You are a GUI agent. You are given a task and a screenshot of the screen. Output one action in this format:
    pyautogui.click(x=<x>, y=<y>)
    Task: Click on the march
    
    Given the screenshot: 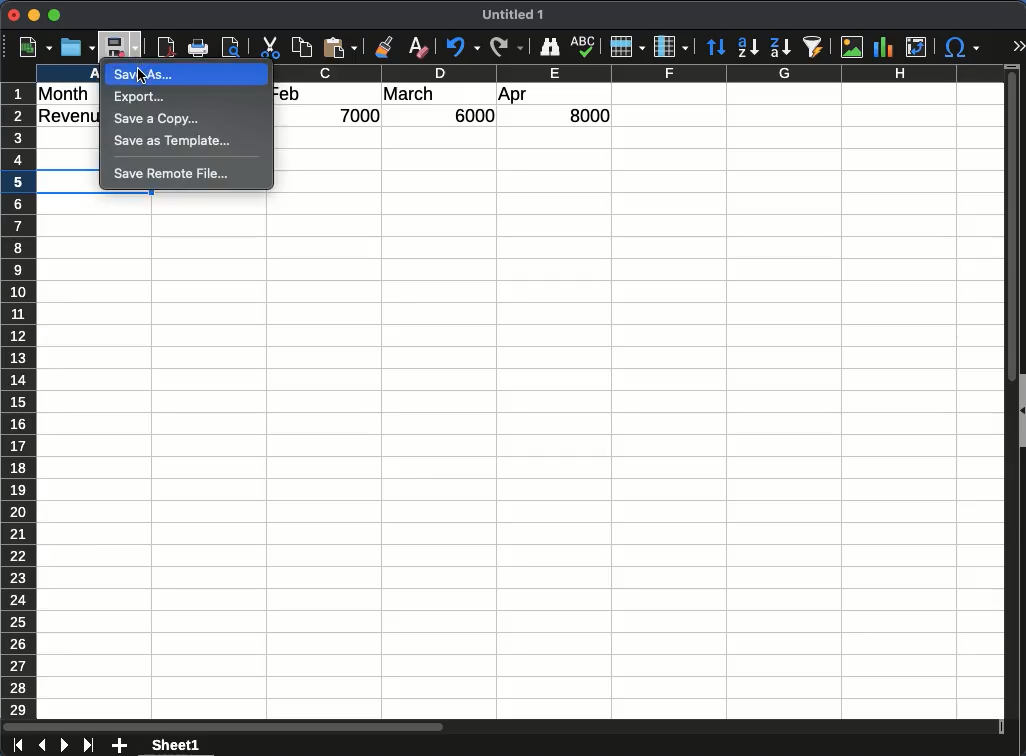 What is the action you would take?
    pyautogui.click(x=409, y=94)
    